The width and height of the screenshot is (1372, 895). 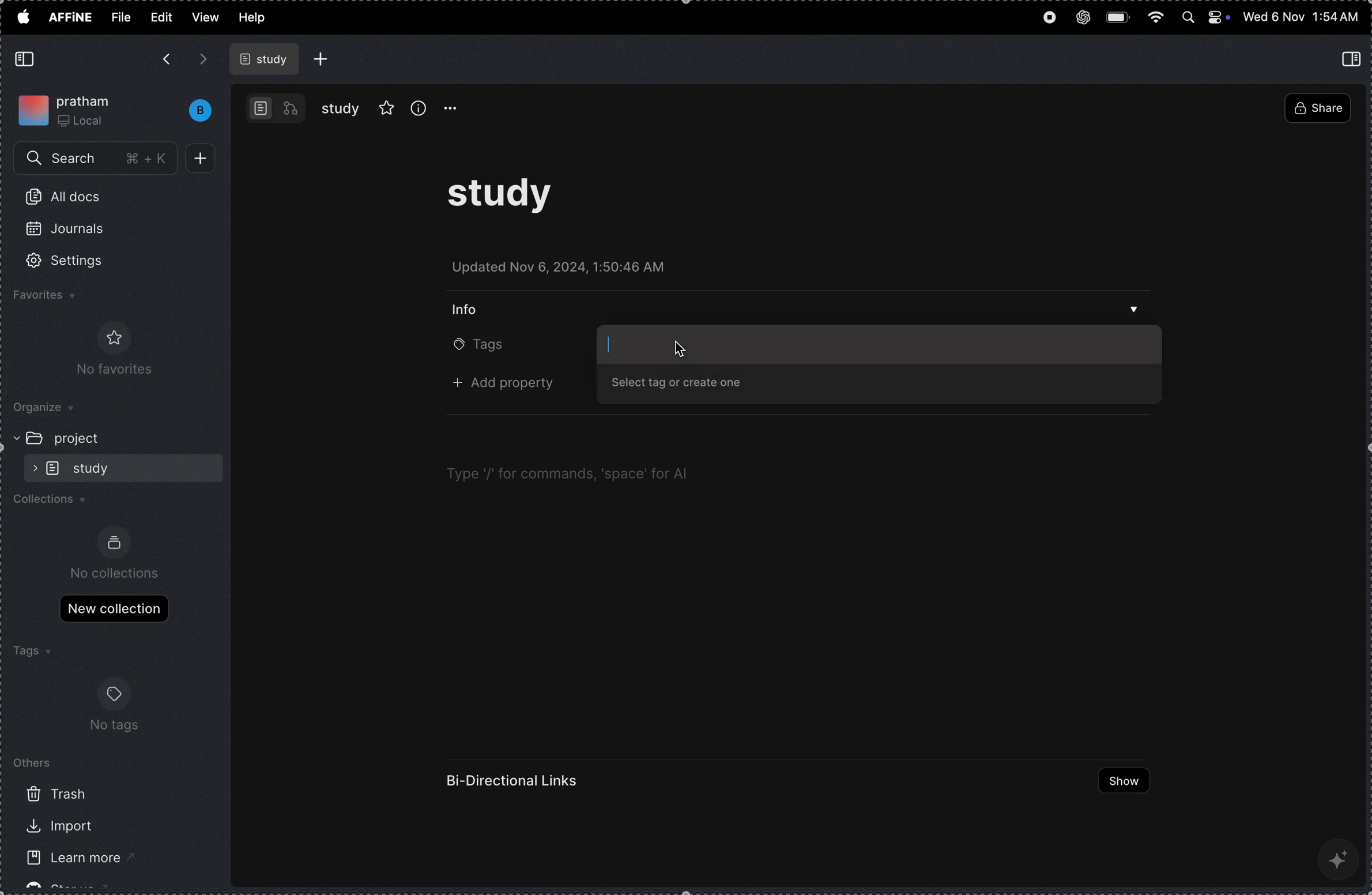 I want to click on project, so click(x=84, y=438).